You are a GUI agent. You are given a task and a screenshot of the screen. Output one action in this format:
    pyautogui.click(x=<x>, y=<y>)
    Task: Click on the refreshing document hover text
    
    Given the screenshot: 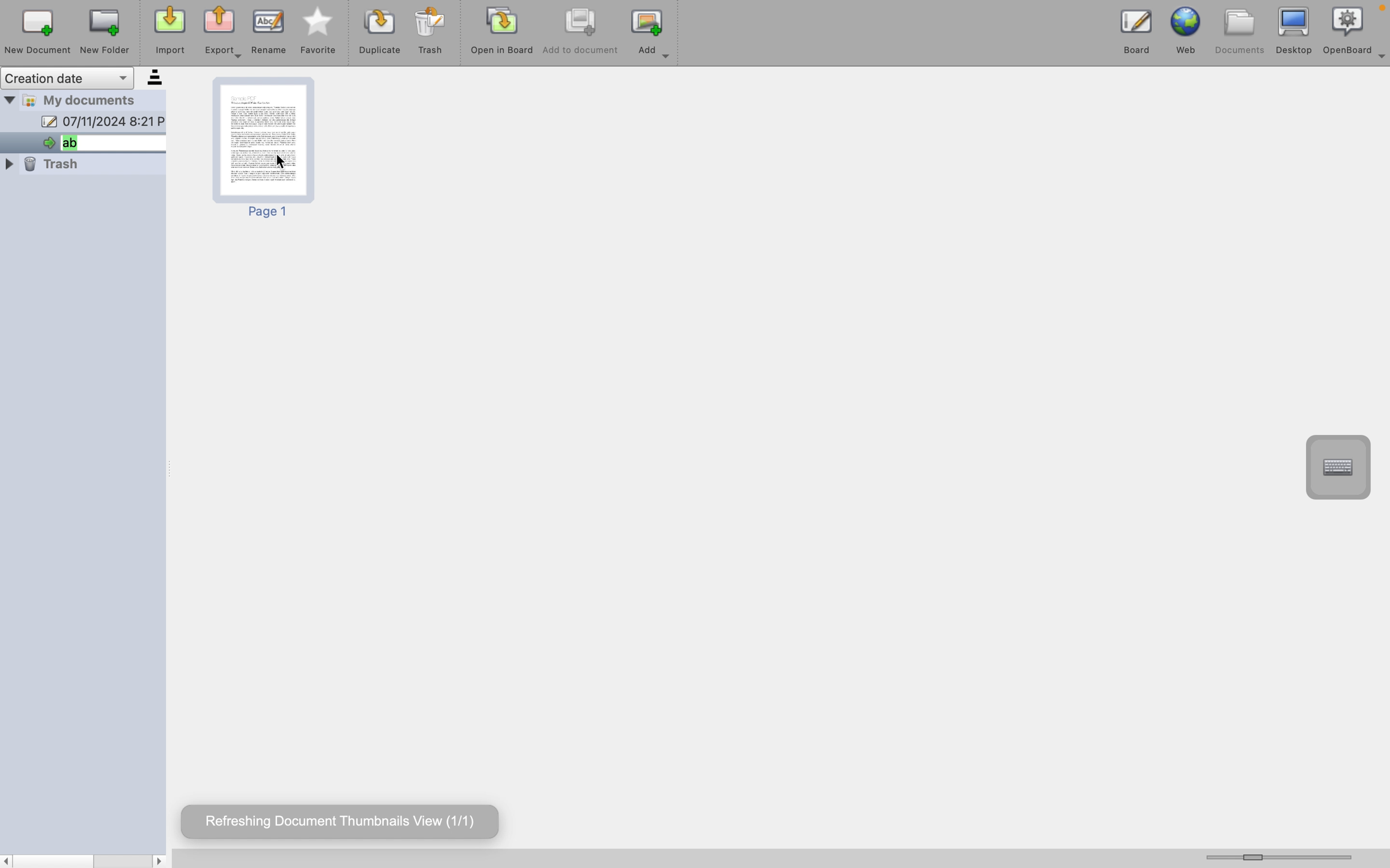 What is the action you would take?
    pyautogui.click(x=338, y=822)
    